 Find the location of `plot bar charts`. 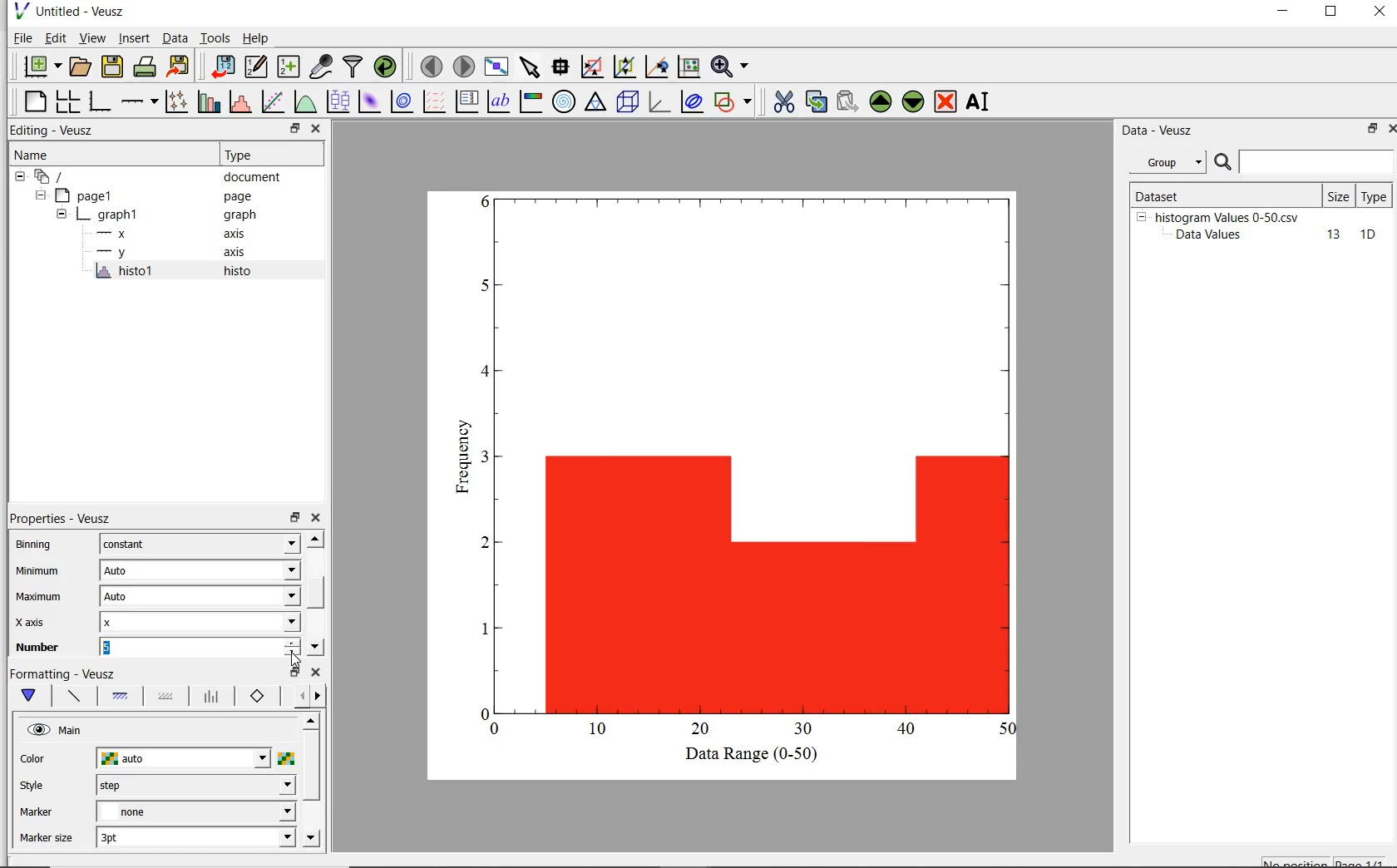

plot bar charts is located at coordinates (209, 101).